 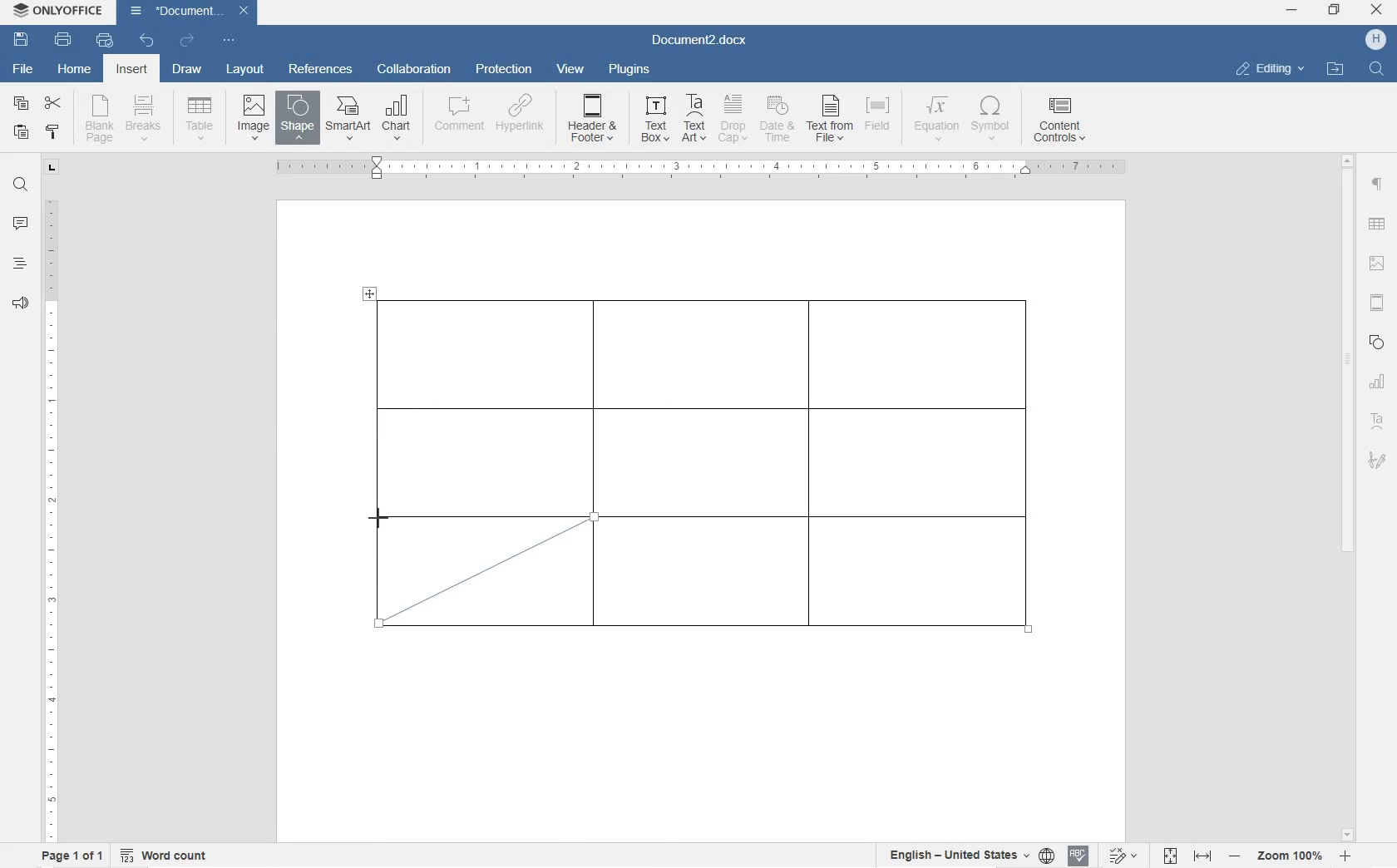 I want to click on blank page, so click(x=97, y=121).